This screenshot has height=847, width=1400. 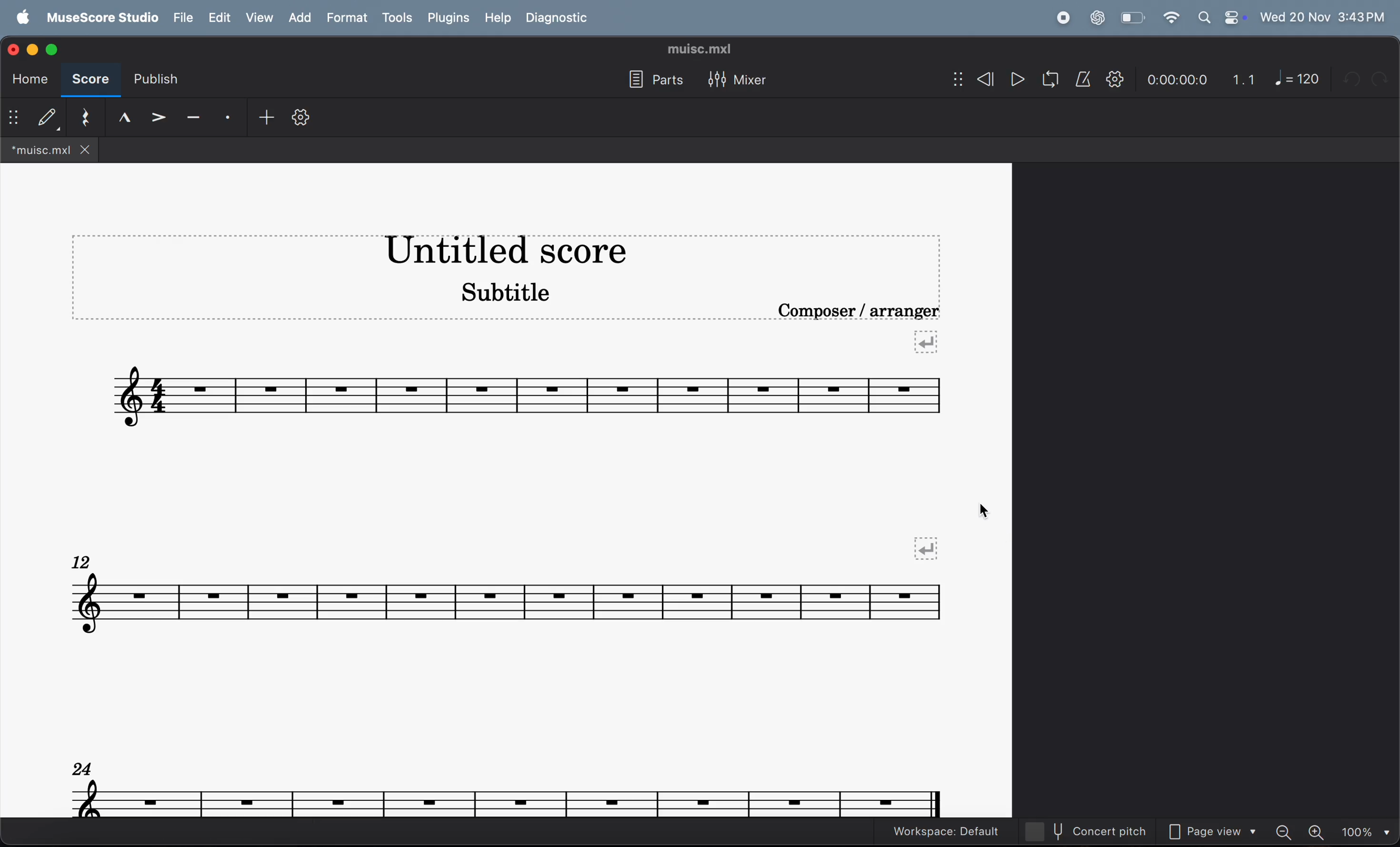 What do you see at coordinates (1132, 17) in the screenshot?
I see `battery` at bounding box center [1132, 17].